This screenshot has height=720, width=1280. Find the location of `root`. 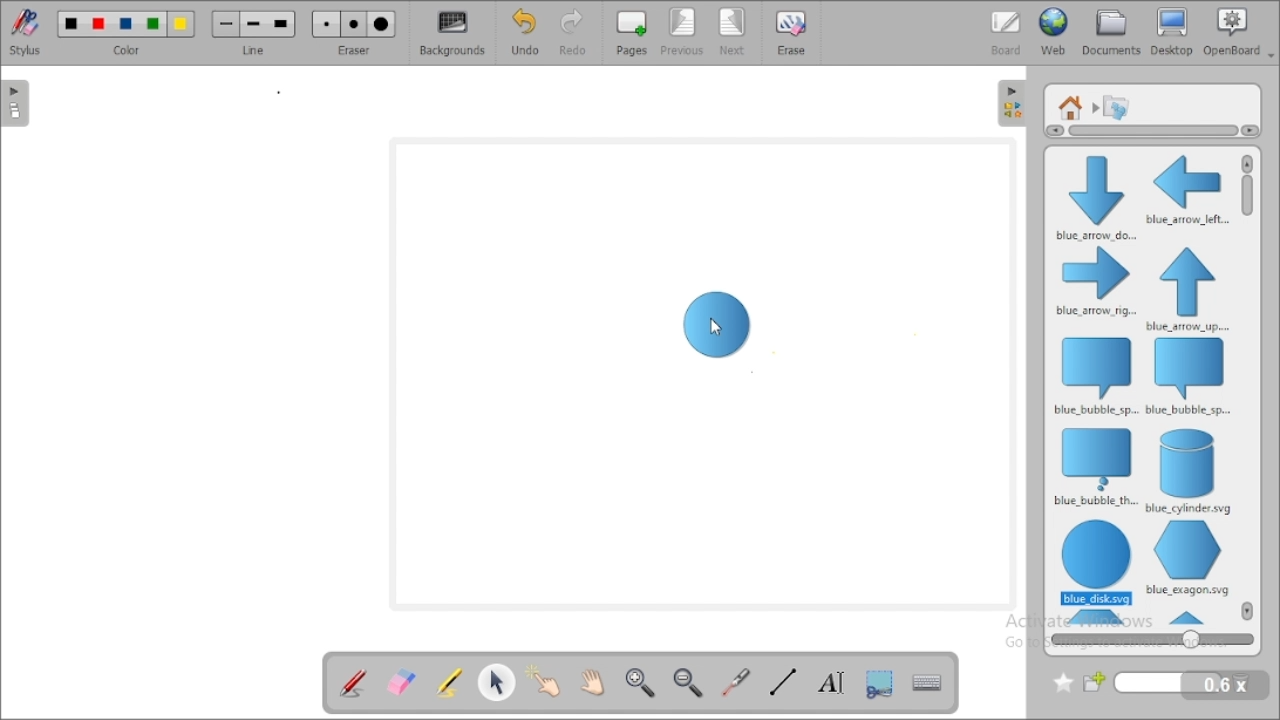

root is located at coordinates (1071, 107).